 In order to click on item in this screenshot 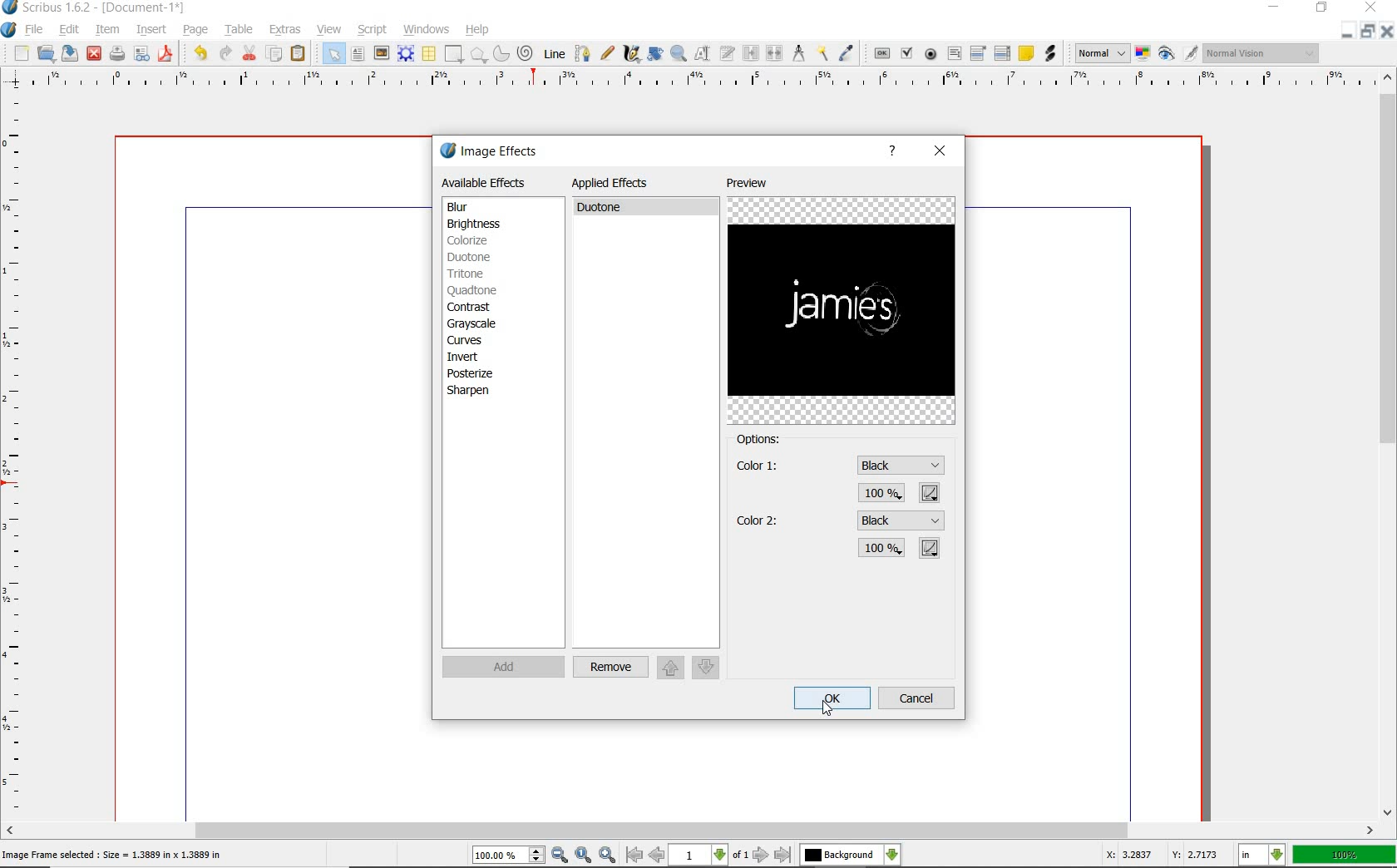, I will do `click(108, 28)`.